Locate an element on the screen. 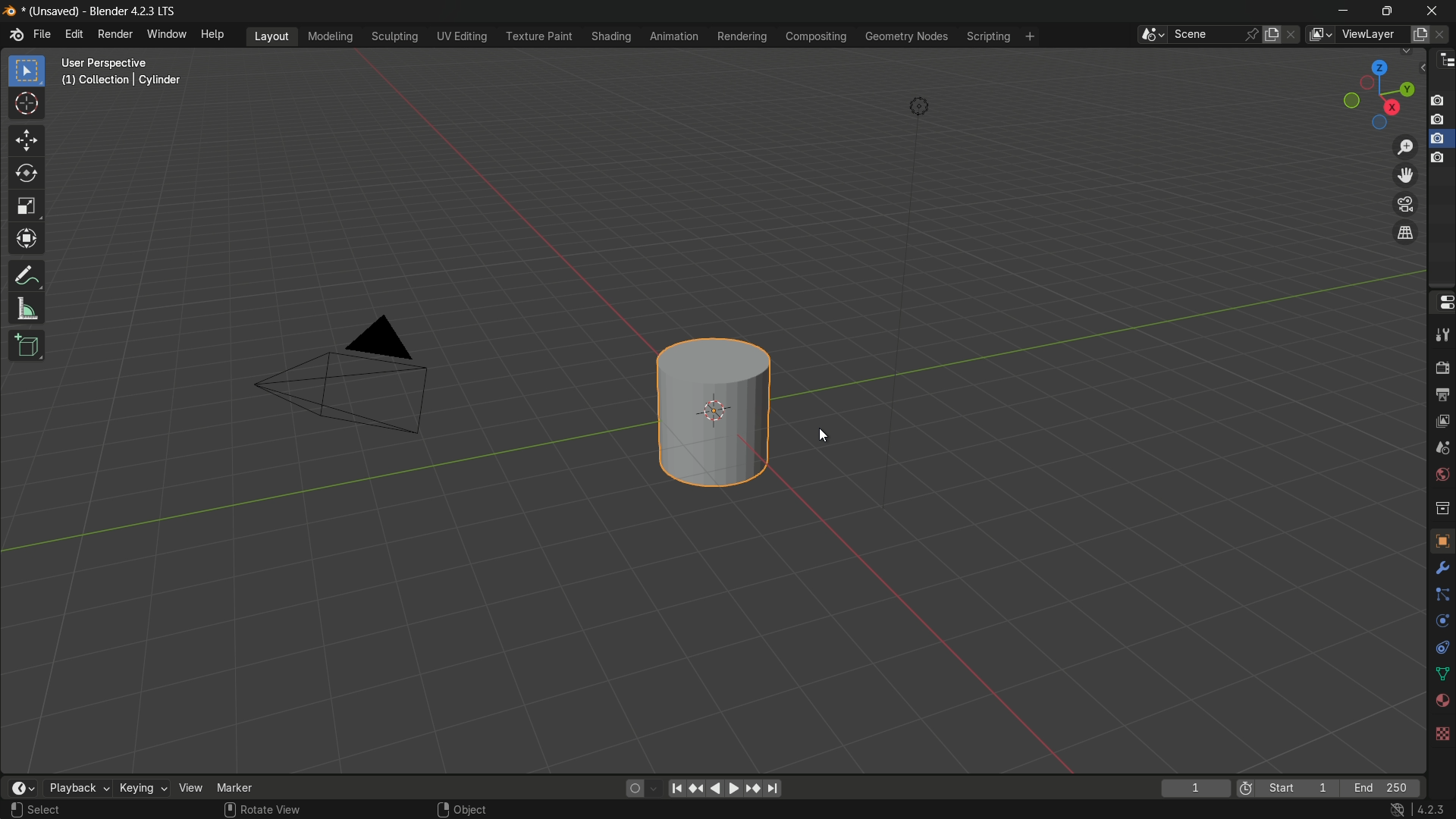  remove view layer is located at coordinates (1443, 35).